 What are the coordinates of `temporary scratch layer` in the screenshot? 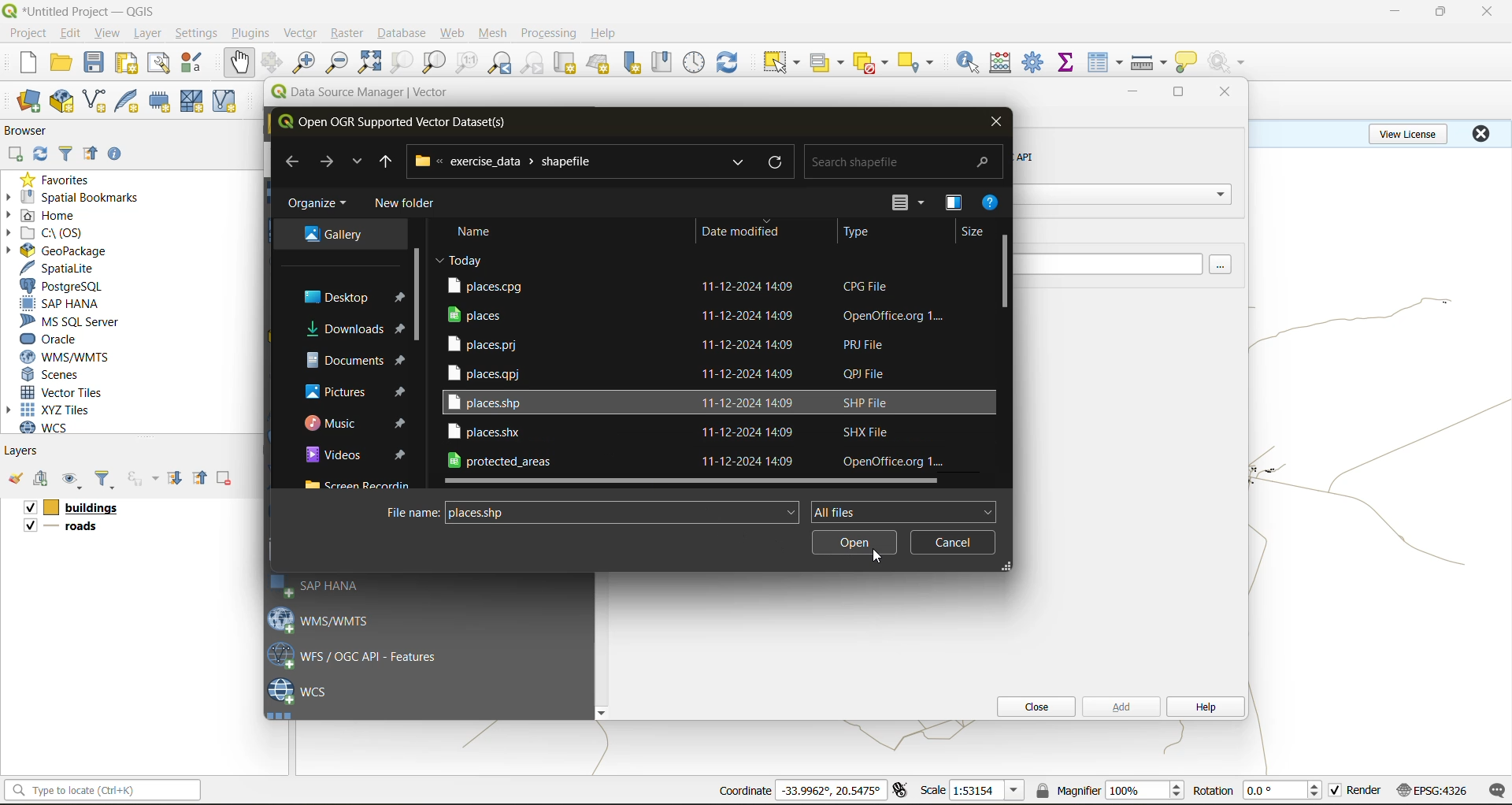 It's located at (164, 102).